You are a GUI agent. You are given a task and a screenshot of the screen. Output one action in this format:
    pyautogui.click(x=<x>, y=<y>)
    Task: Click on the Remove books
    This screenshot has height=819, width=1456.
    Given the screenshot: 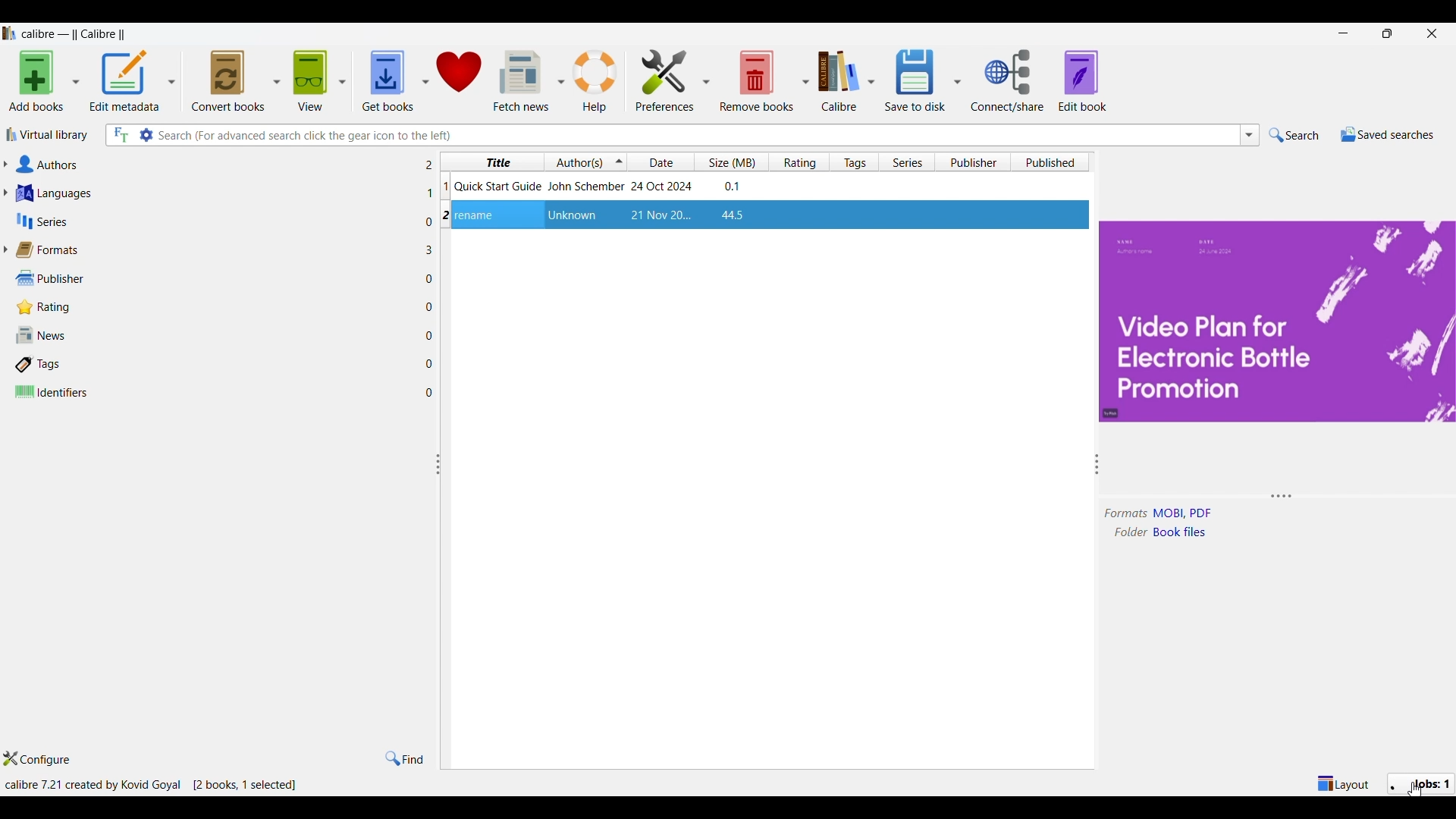 What is the action you would take?
    pyautogui.click(x=757, y=81)
    